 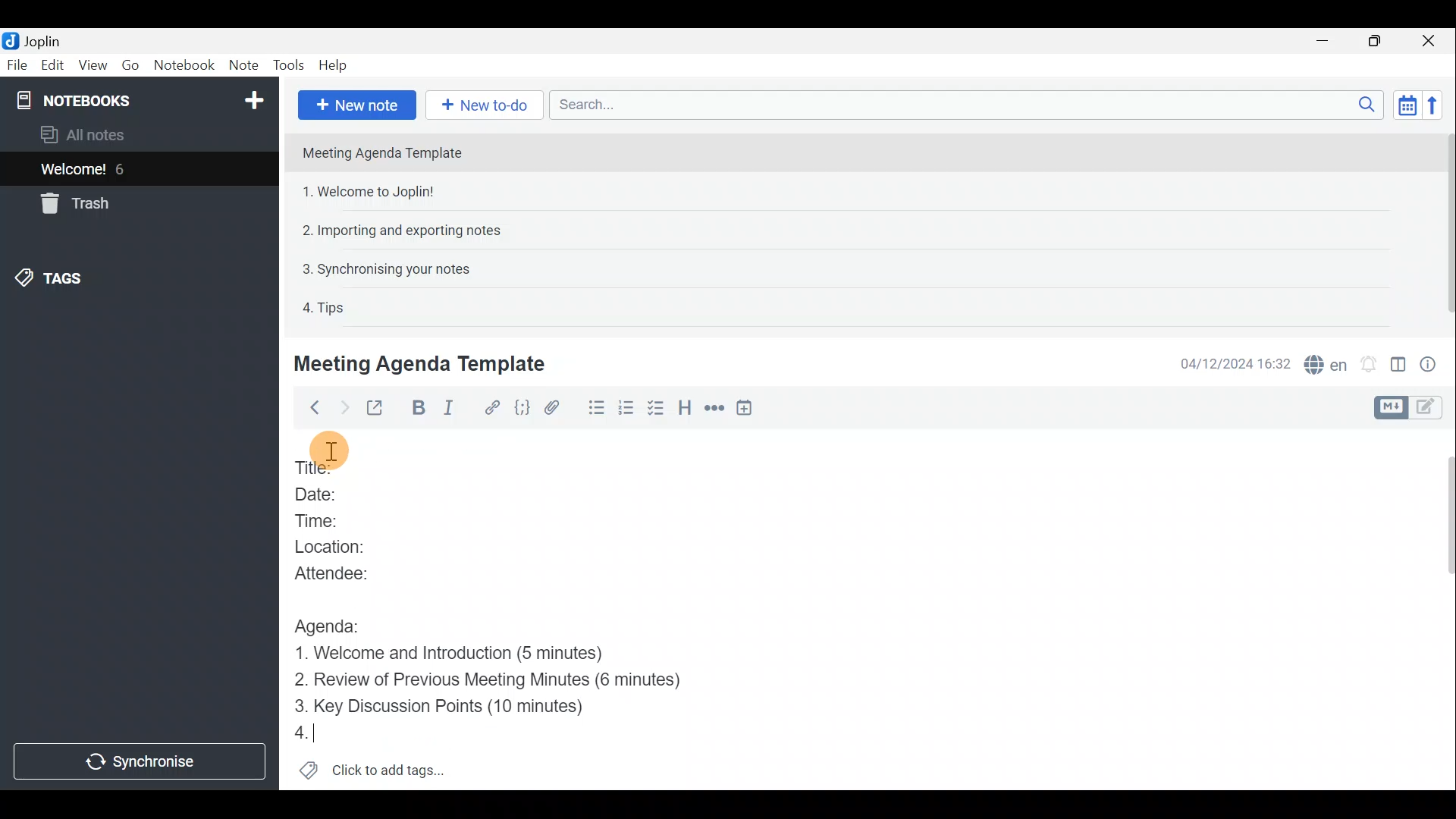 What do you see at coordinates (319, 733) in the screenshot?
I see `4.` at bounding box center [319, 733].